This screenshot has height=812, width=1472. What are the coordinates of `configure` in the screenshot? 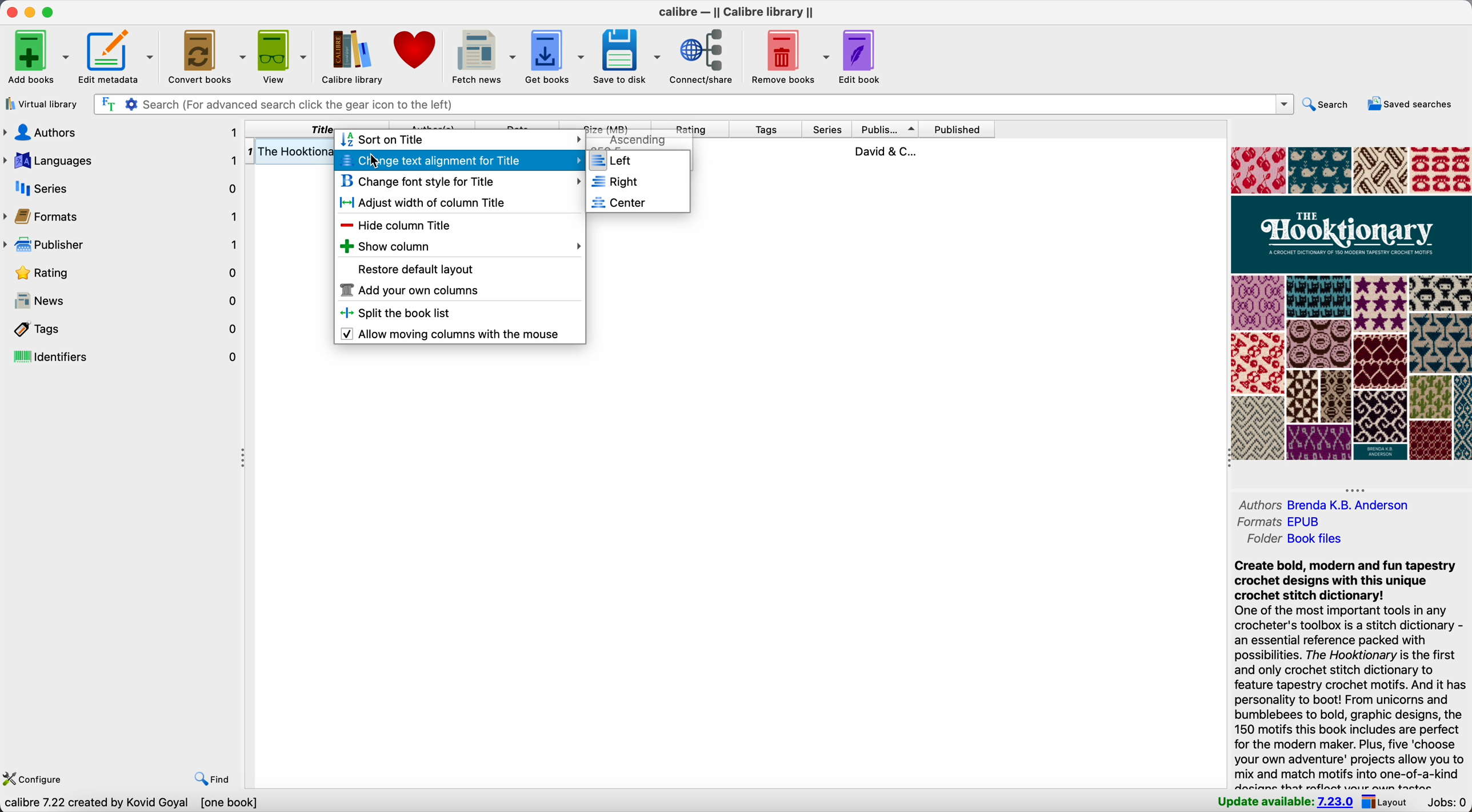 It's located at (32, 779).